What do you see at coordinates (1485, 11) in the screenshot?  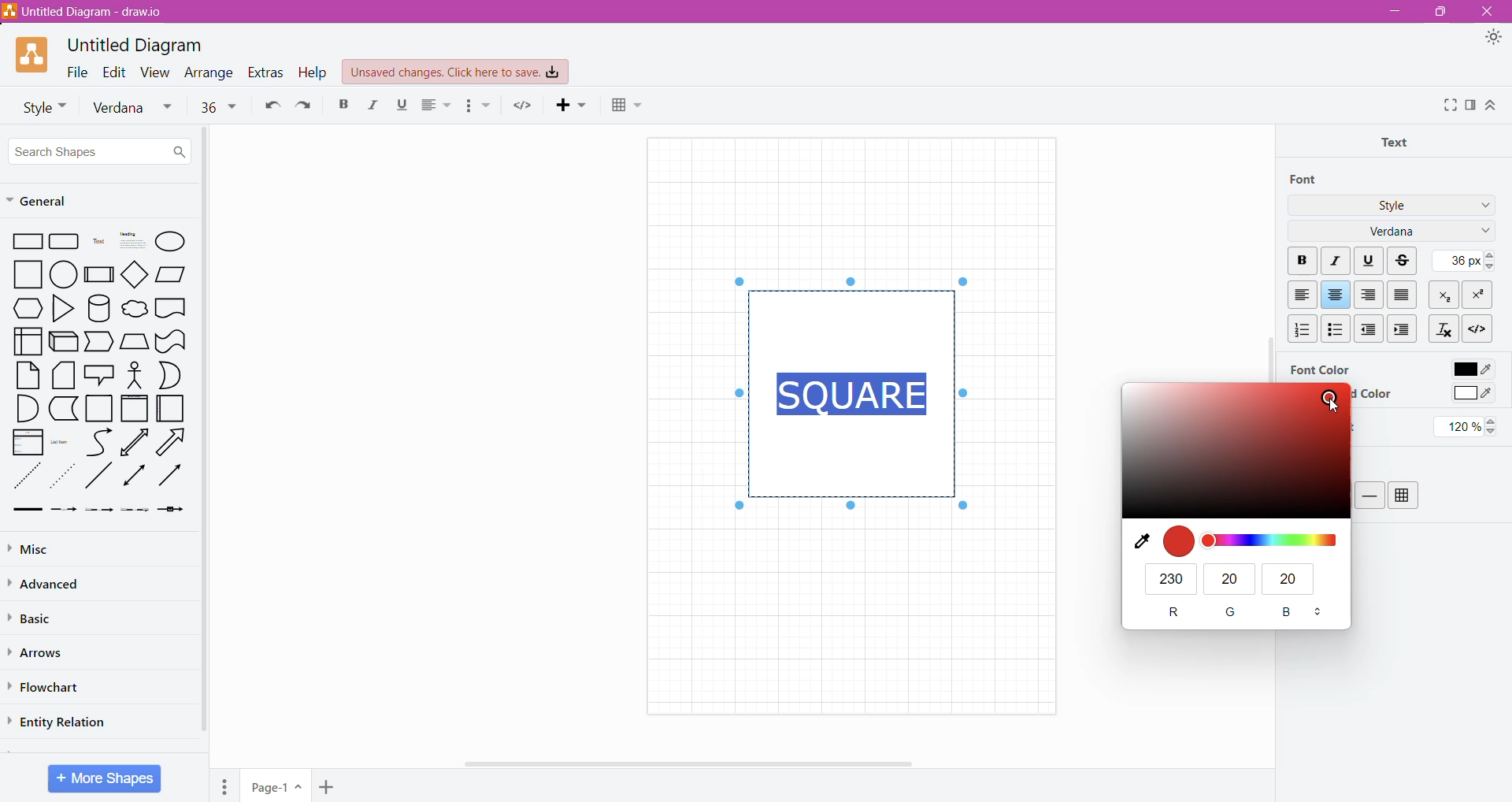 I see `Close` at bounding box center [1485, 11].